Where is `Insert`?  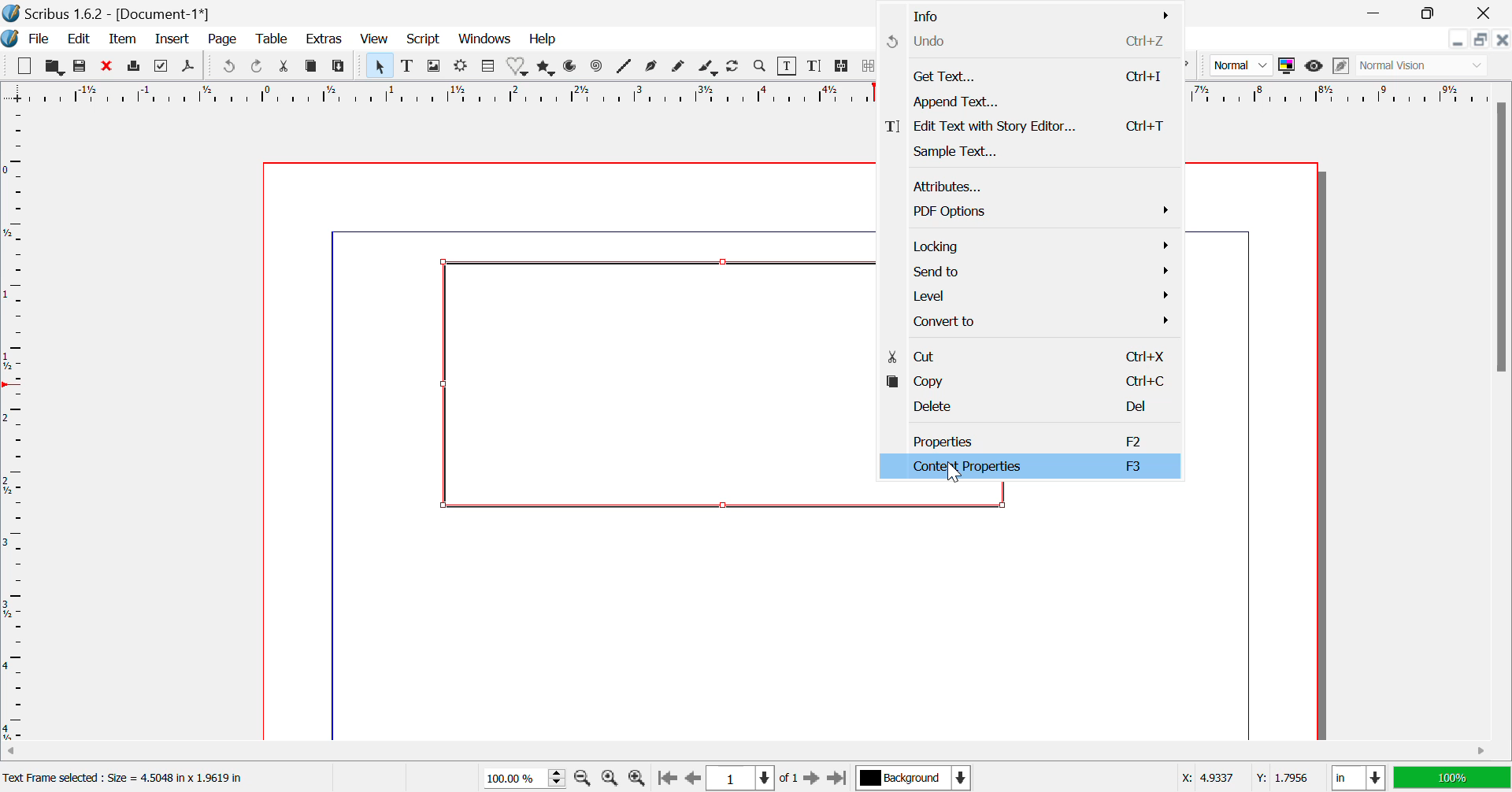 Insert is located at coordinates (174, 39).